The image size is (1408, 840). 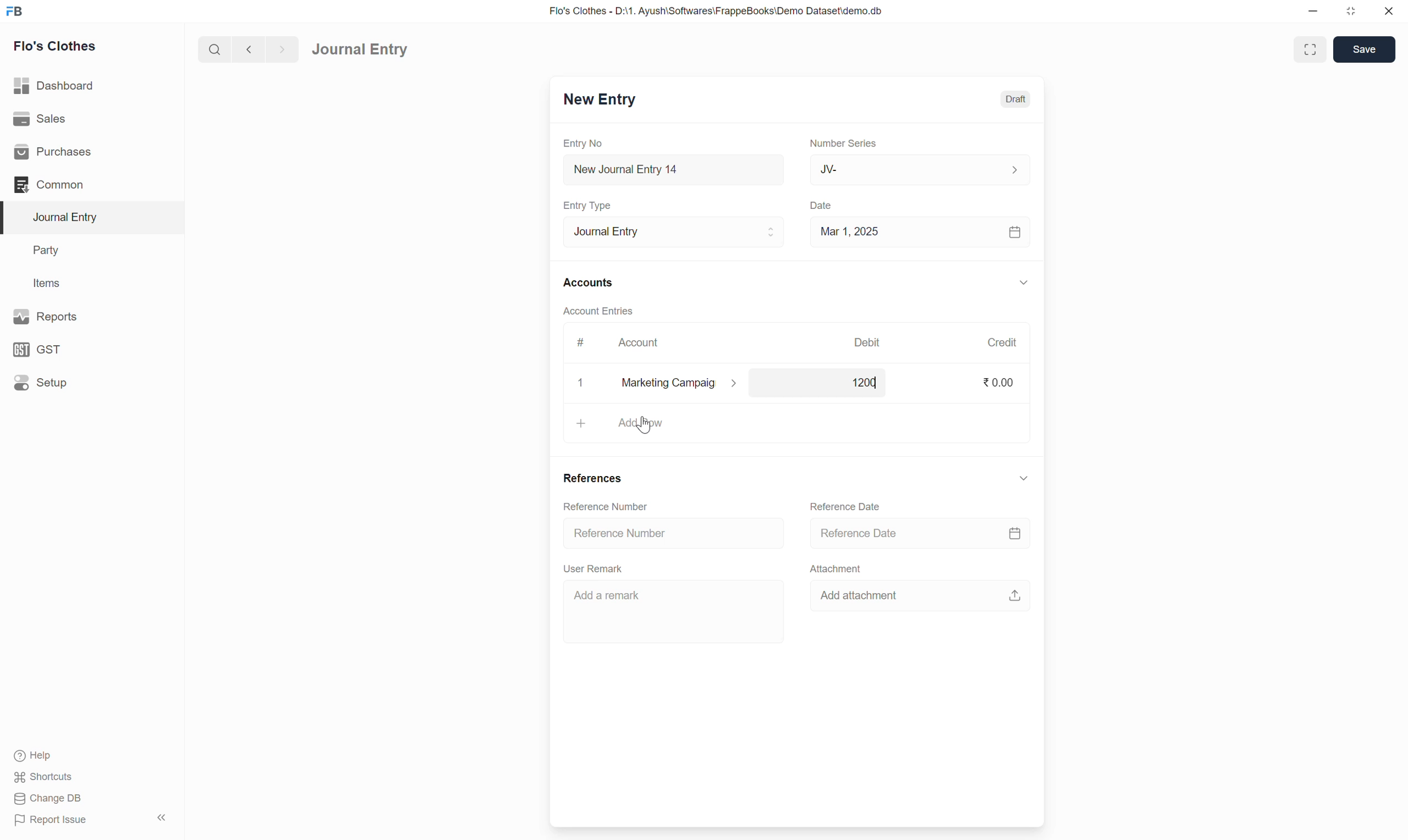 I want to click on 1200, so click(x=859, y=382).